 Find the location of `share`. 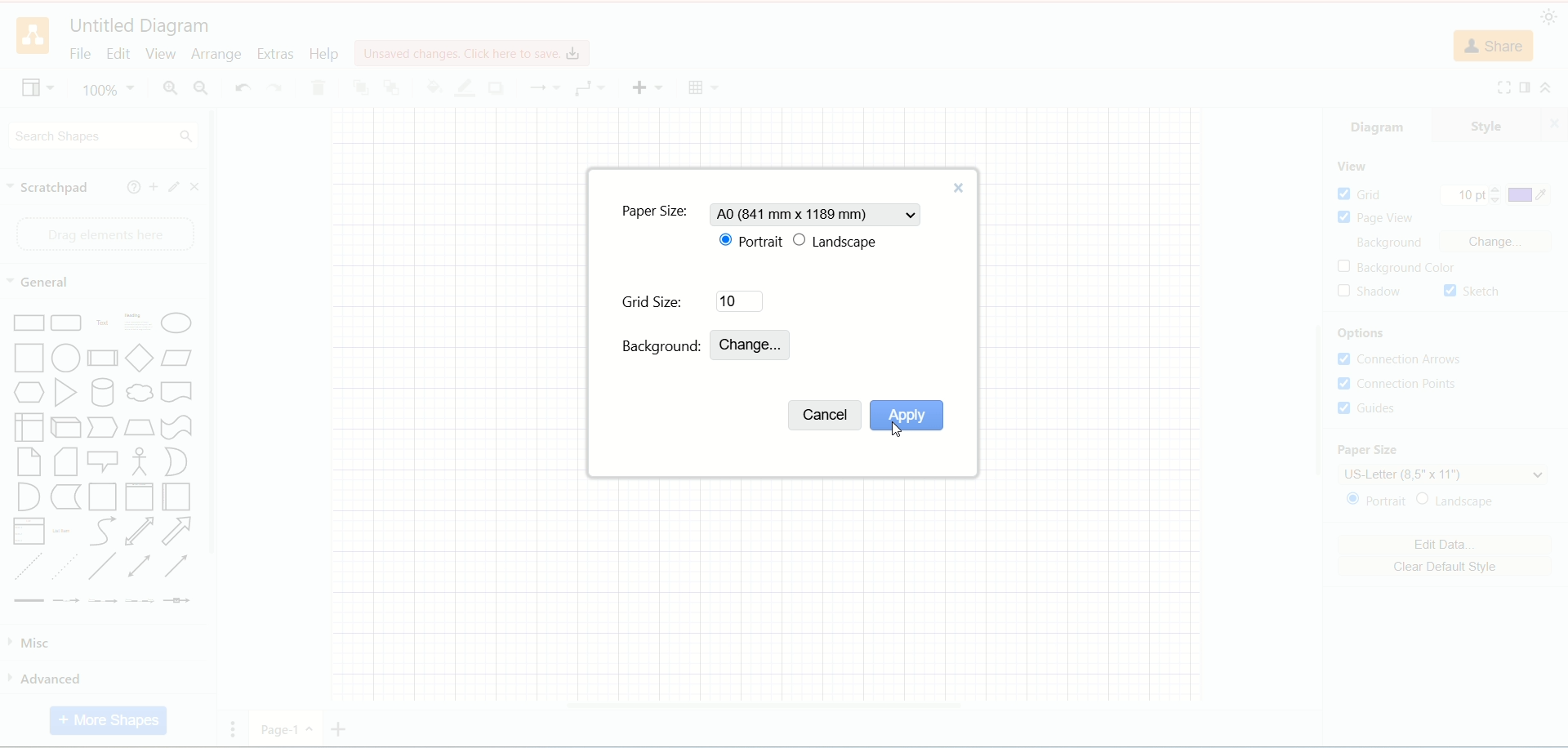

share is located at coordinates (1496, 47).